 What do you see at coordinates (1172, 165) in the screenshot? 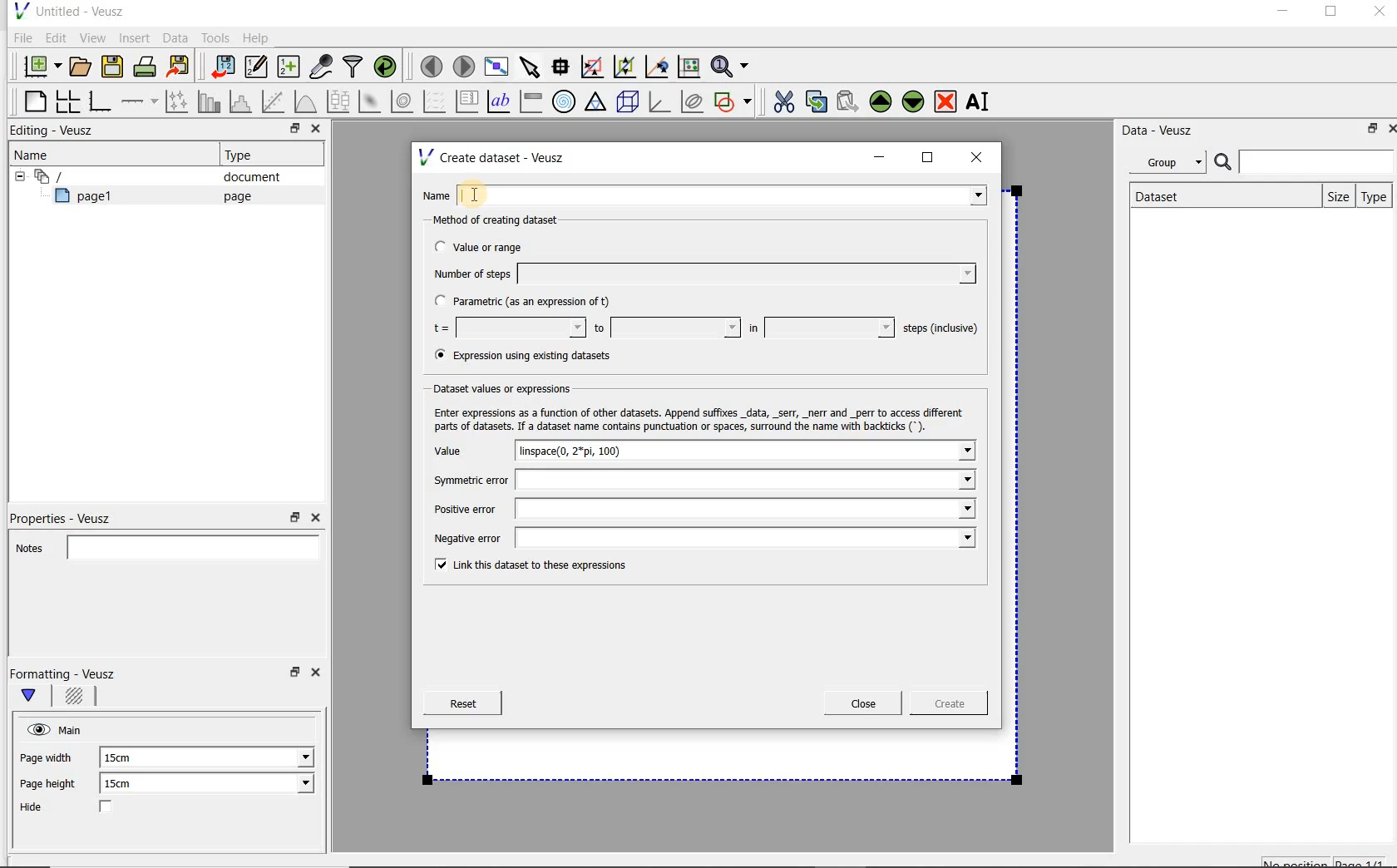
I see `Group` at bounding box center [1172, 165].